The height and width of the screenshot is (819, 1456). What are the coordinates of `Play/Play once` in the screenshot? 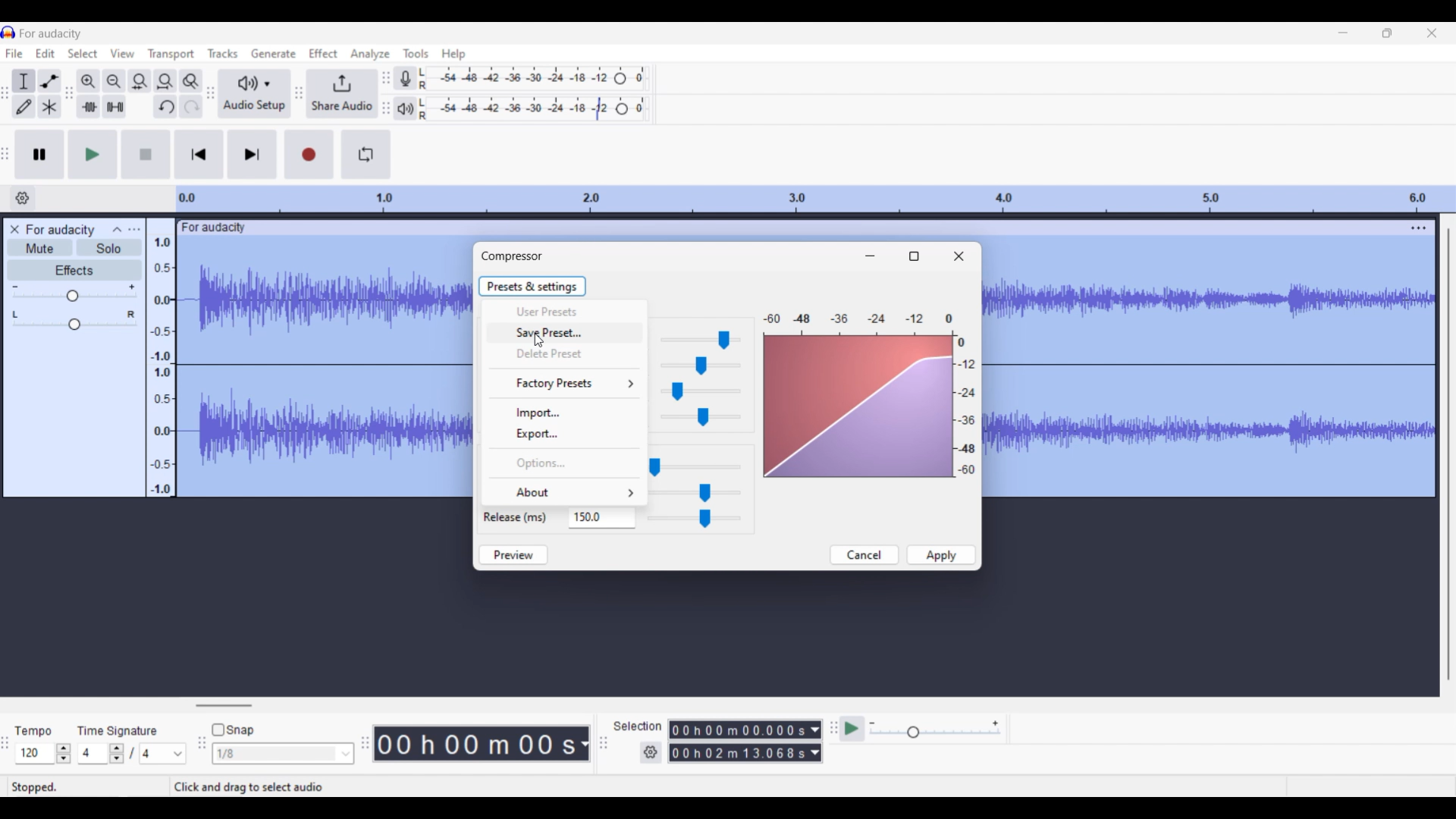 It's located at (93, 155).